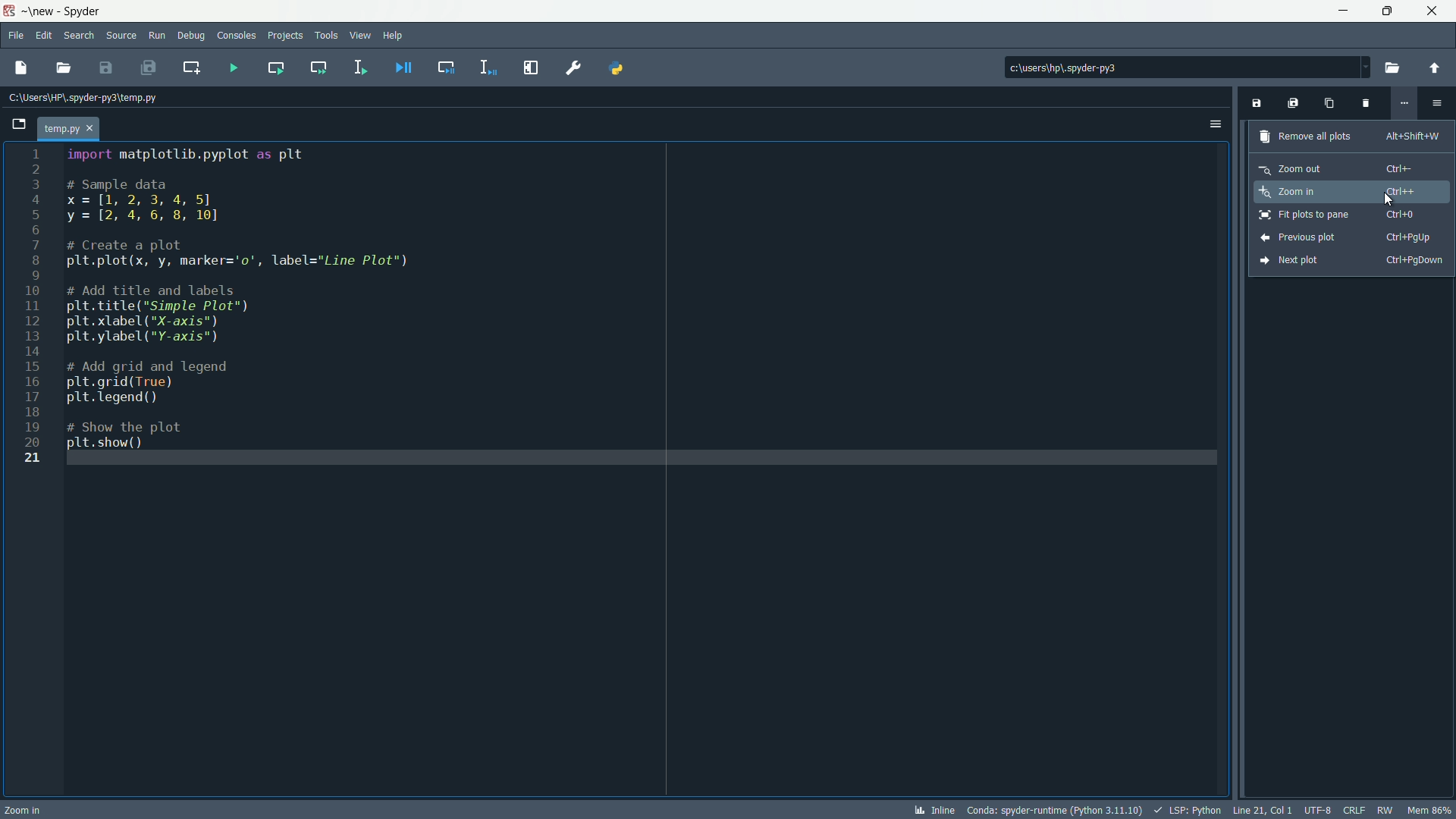 Image resolution: width=1456 pixels, height=819 pixels. Describe the element at coordinates (1338, 216) in the screenshot. I see `fit plots to pane` at that location.